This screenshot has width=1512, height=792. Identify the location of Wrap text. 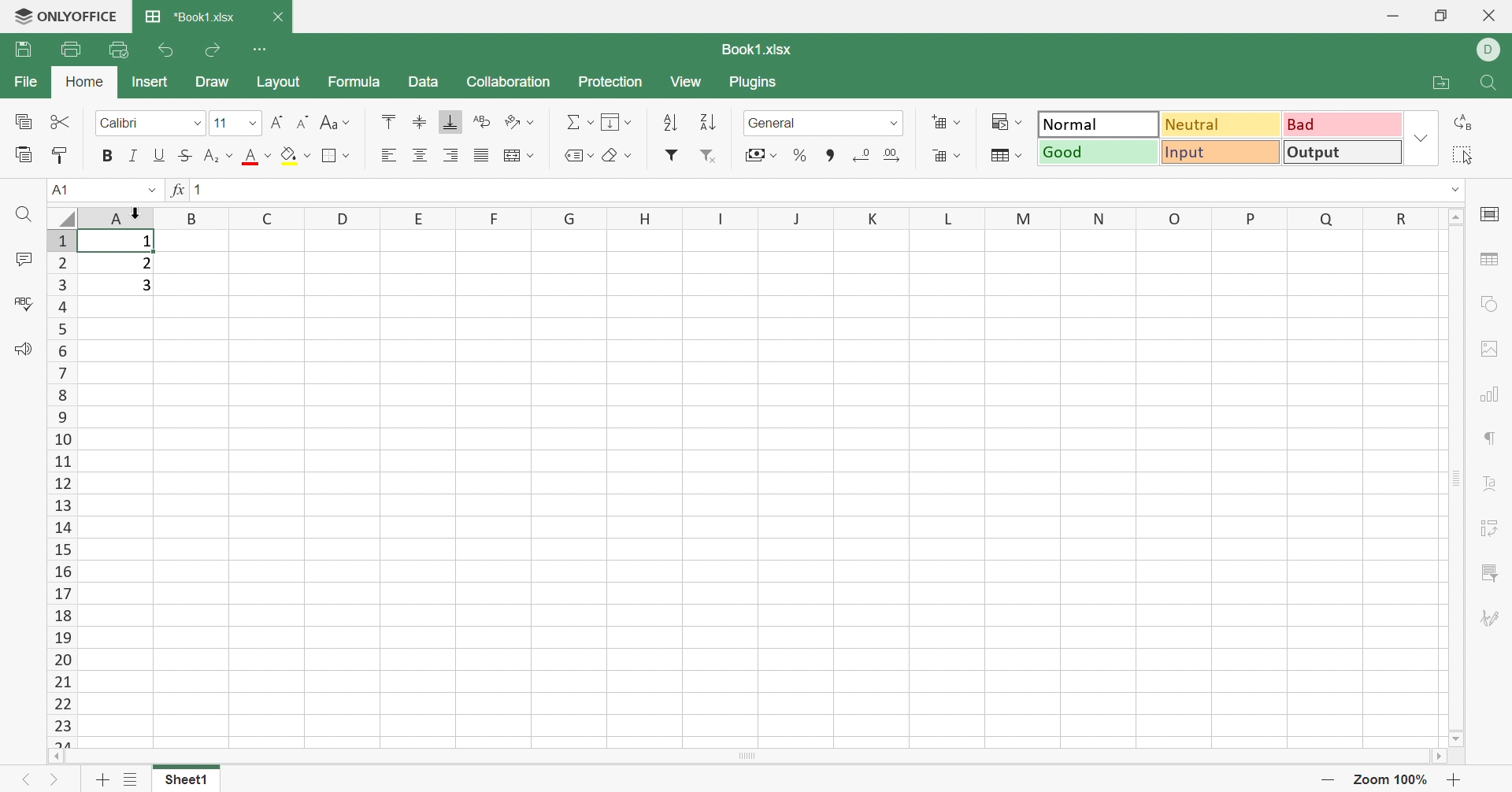
(521, 157).